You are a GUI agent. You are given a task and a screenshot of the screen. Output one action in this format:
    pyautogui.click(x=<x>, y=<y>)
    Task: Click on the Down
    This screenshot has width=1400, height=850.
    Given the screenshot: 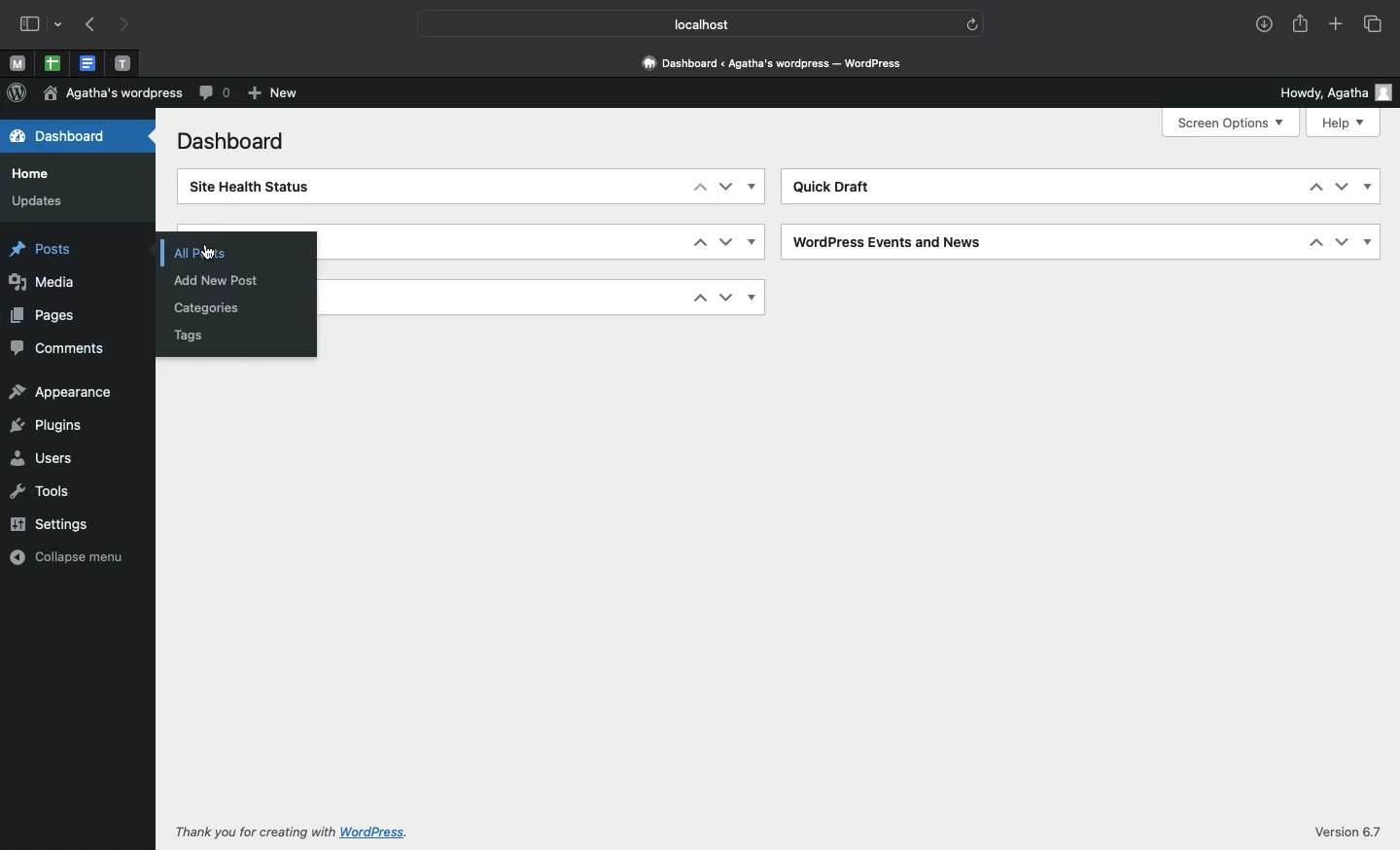 What is the action you would take?
    pyautogui.click(x=1342, y=241)
    